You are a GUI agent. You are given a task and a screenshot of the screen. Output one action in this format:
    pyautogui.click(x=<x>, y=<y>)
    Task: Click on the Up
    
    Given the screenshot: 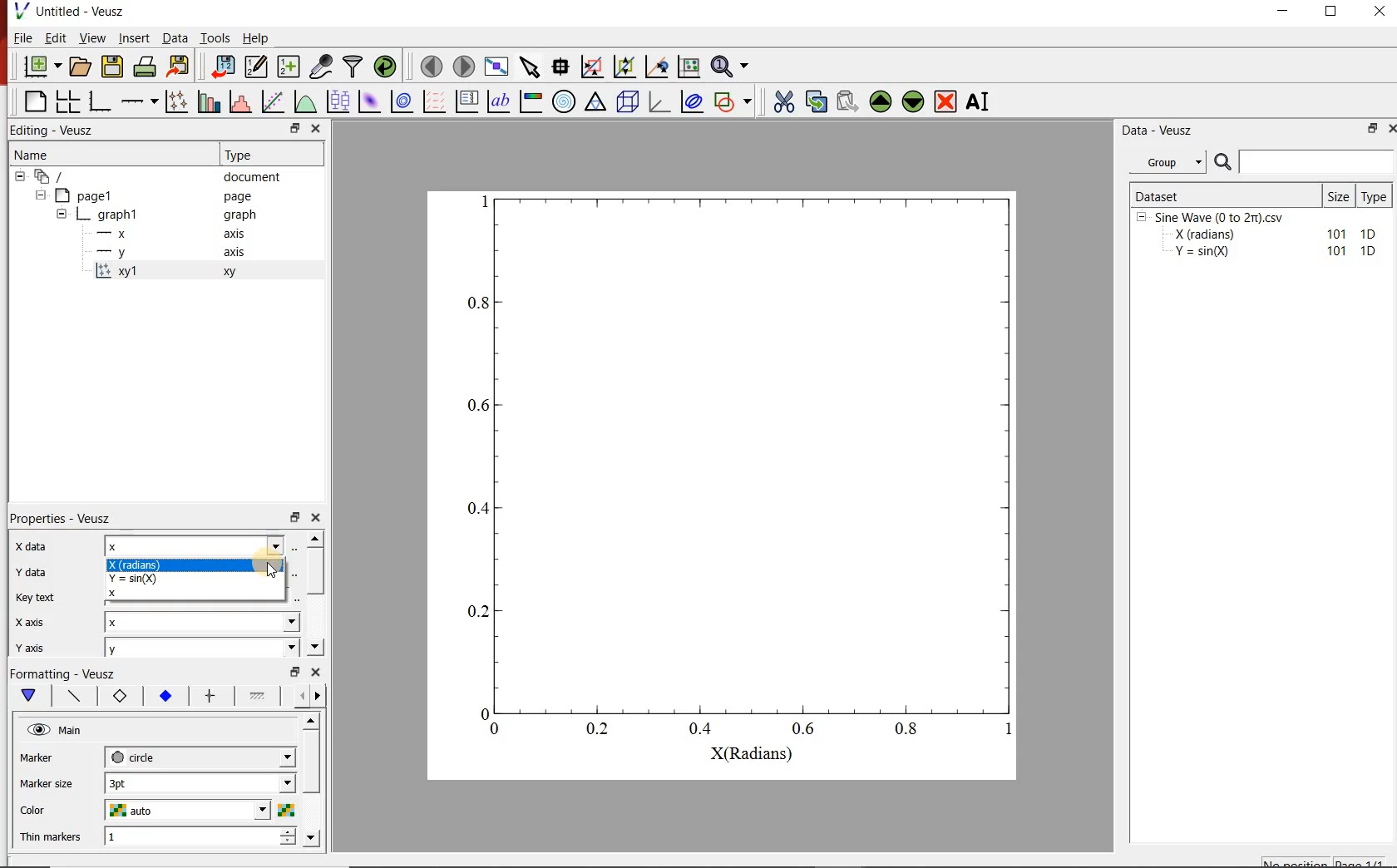 What is the action you would take?
    pyautogui.click(x=315, y=538)
    